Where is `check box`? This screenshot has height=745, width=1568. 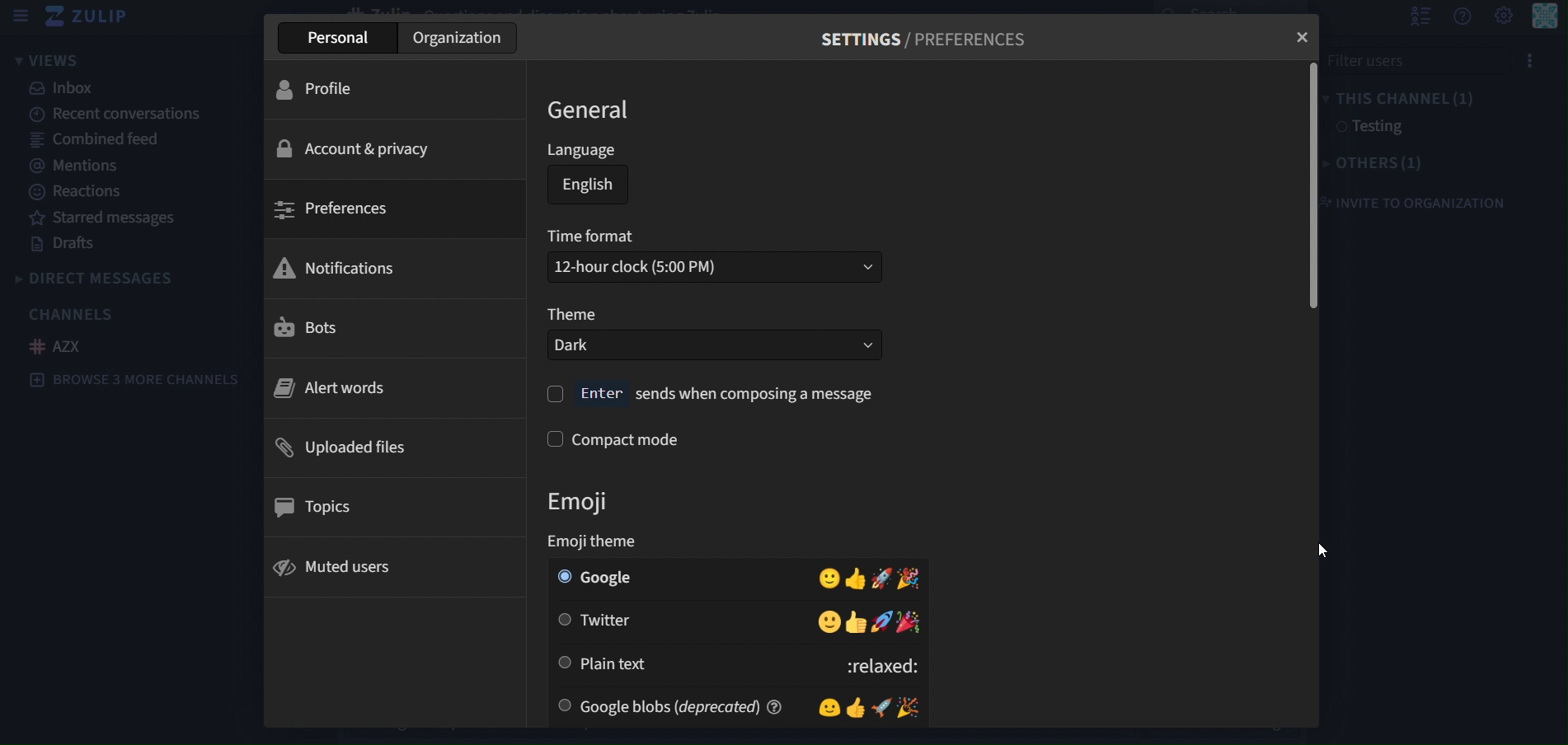
check box is located at coordinates (554, 438).